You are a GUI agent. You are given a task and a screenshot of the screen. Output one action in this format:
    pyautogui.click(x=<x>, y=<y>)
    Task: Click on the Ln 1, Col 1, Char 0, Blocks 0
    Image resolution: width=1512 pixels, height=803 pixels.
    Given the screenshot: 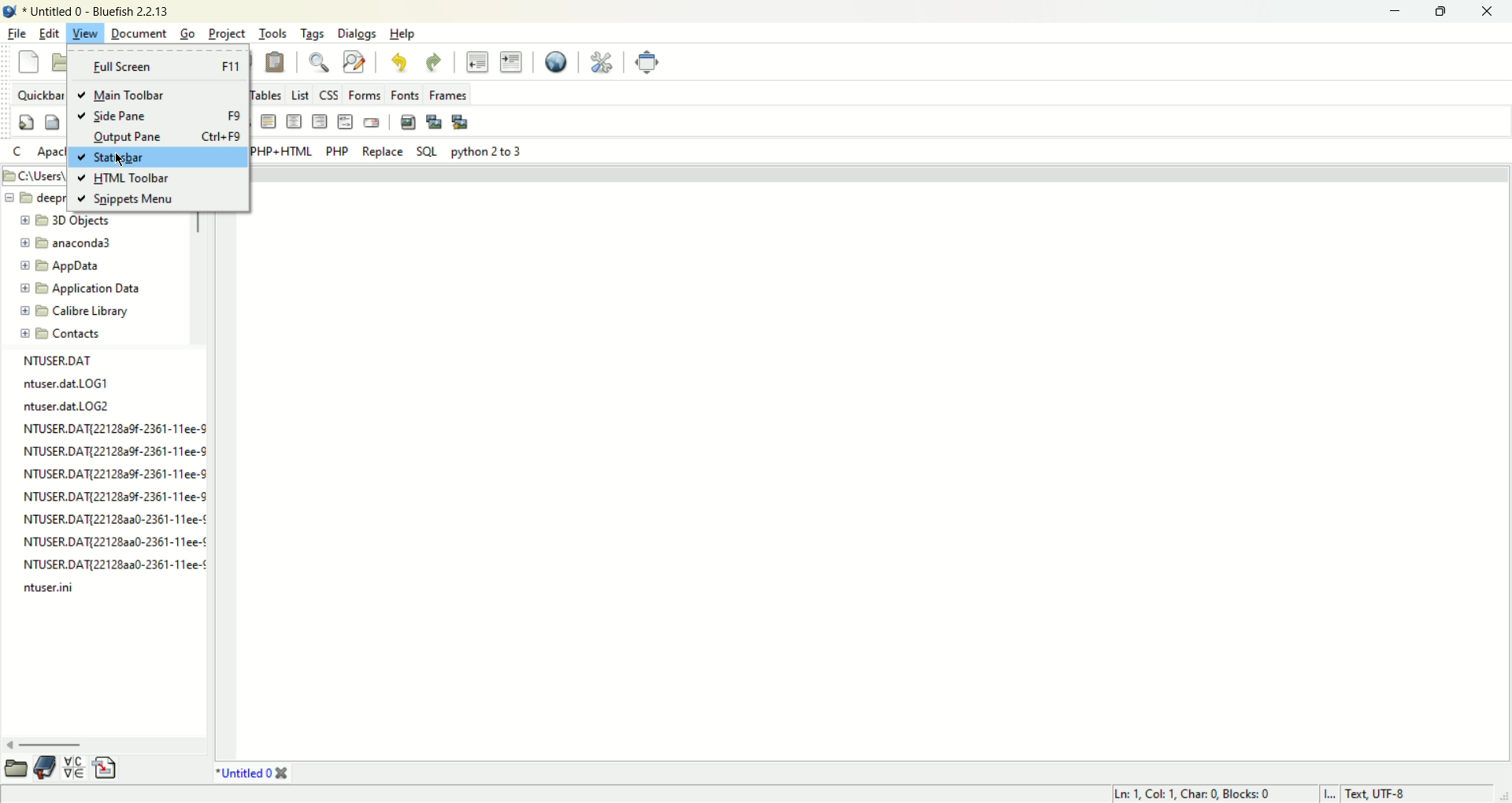 What is the action you would take?
    pyautogui.click(x=1198, y=794)
    